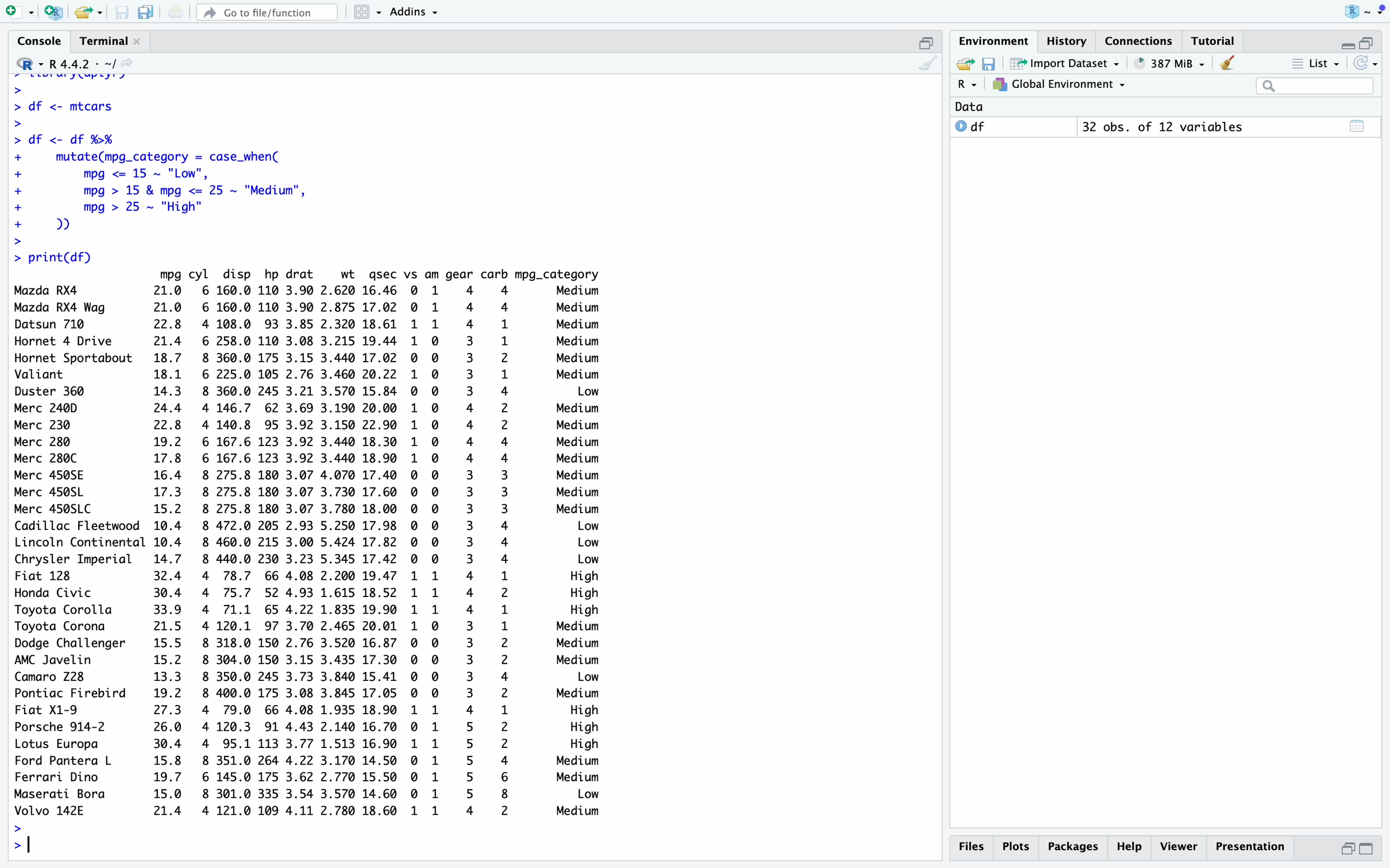 The image size is (1390, 868). What do you see at coordinates (1059, 84) in the screenshot?
I see `Global enviornment` at bounding box center [1059, 84].